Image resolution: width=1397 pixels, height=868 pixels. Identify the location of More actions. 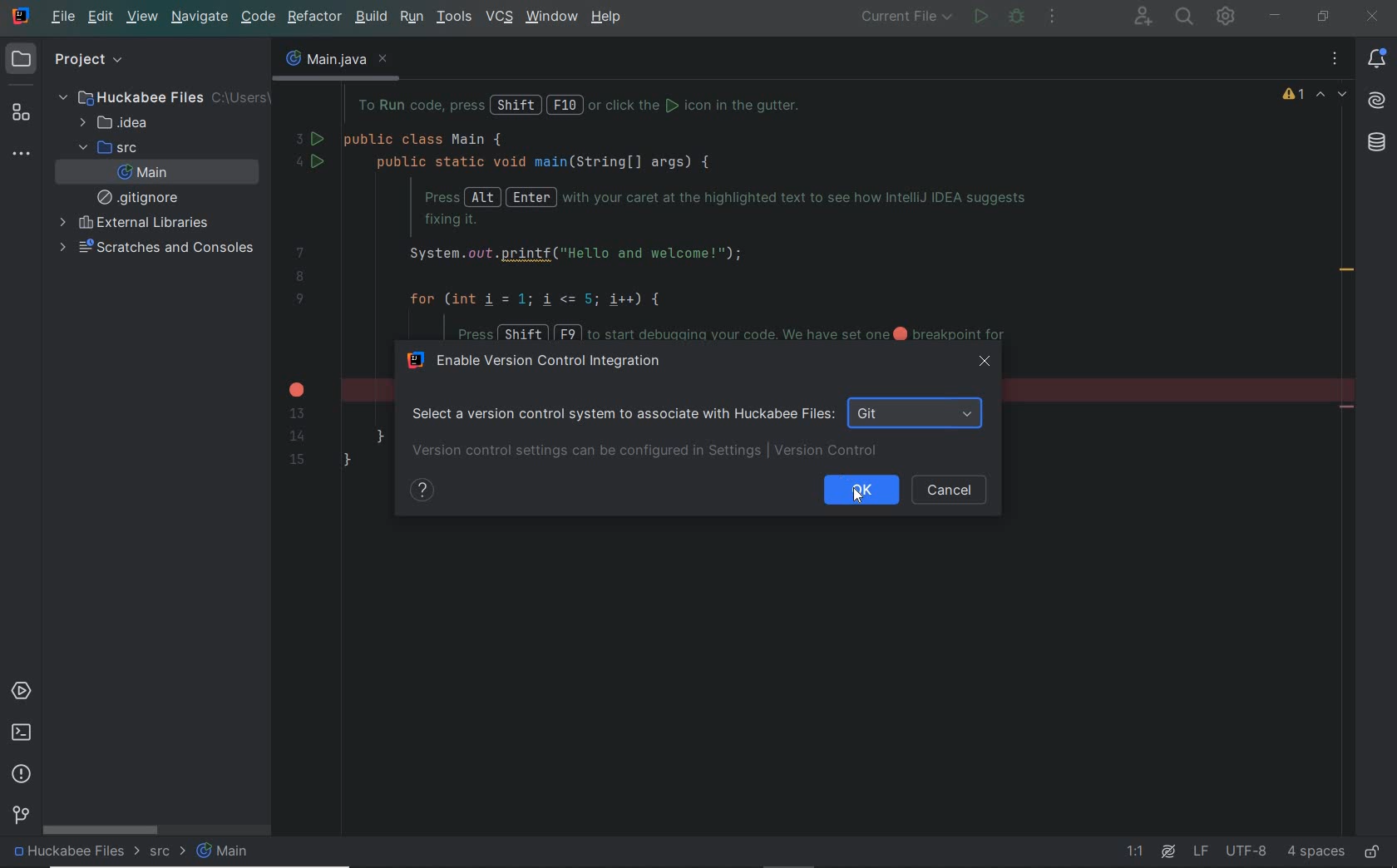
(1053, 19).